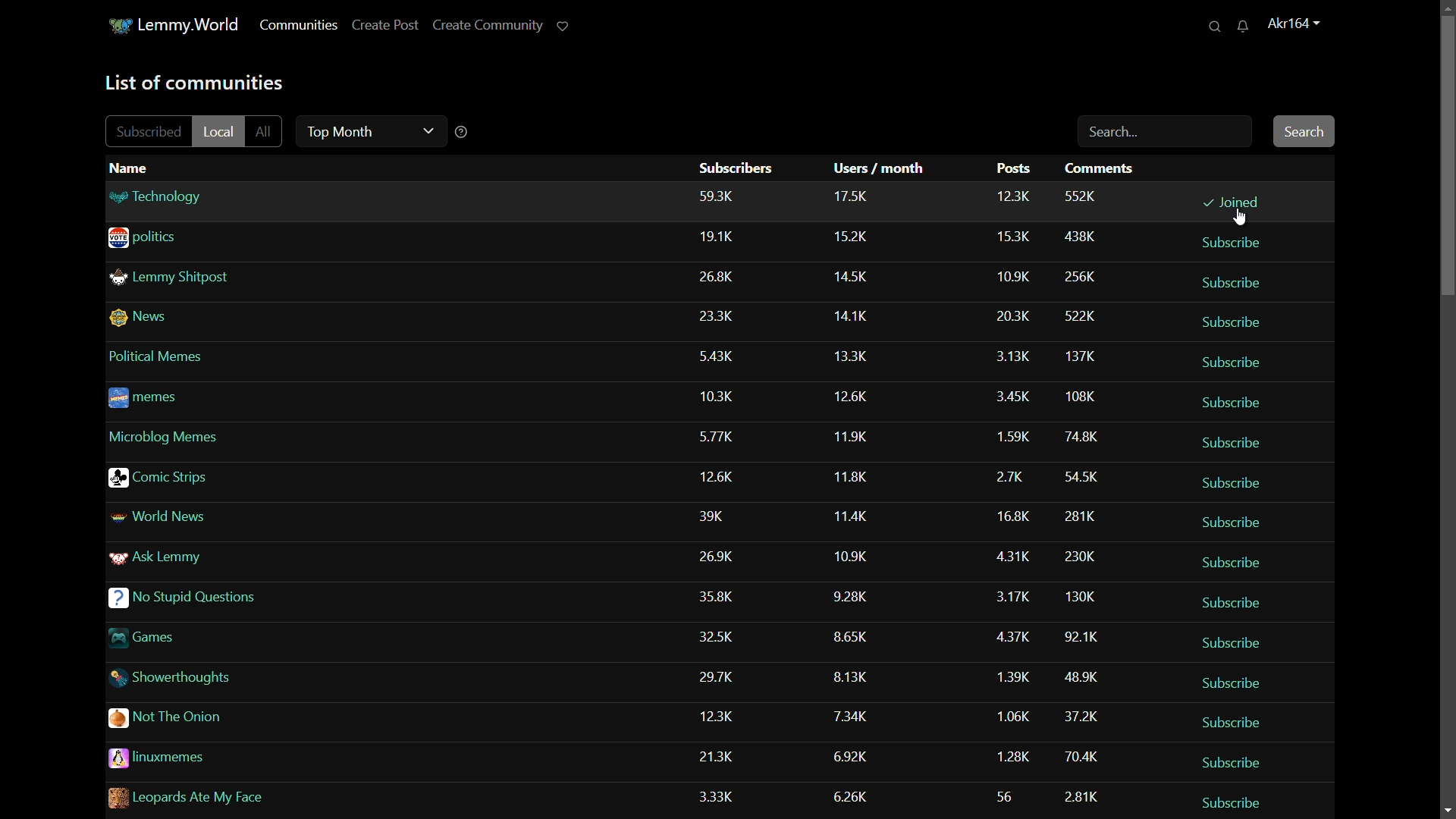 The width and height of the screenshot is (1456, 819). Describe the element at coordinates (1227, 642) in the screenshot. I see `subscribe/unsubscribe` at that location.